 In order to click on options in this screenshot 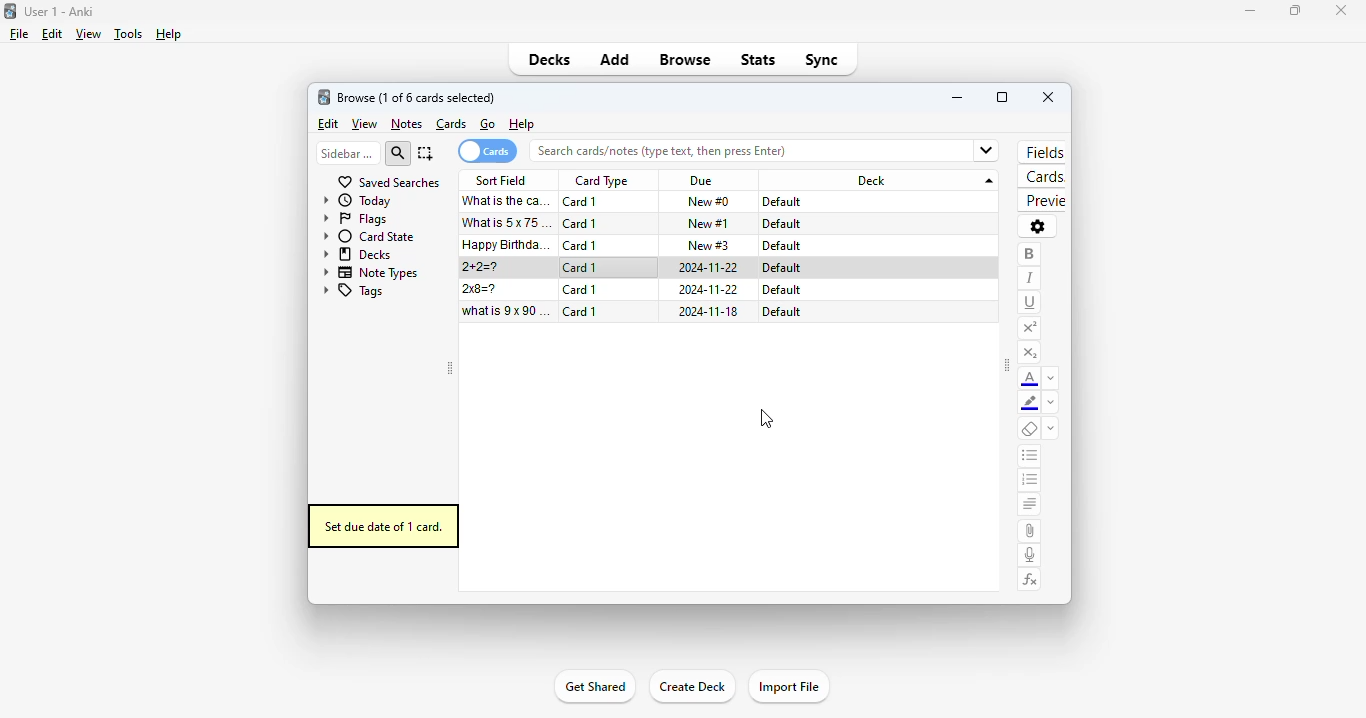, I will do `click(1037, 226)`.